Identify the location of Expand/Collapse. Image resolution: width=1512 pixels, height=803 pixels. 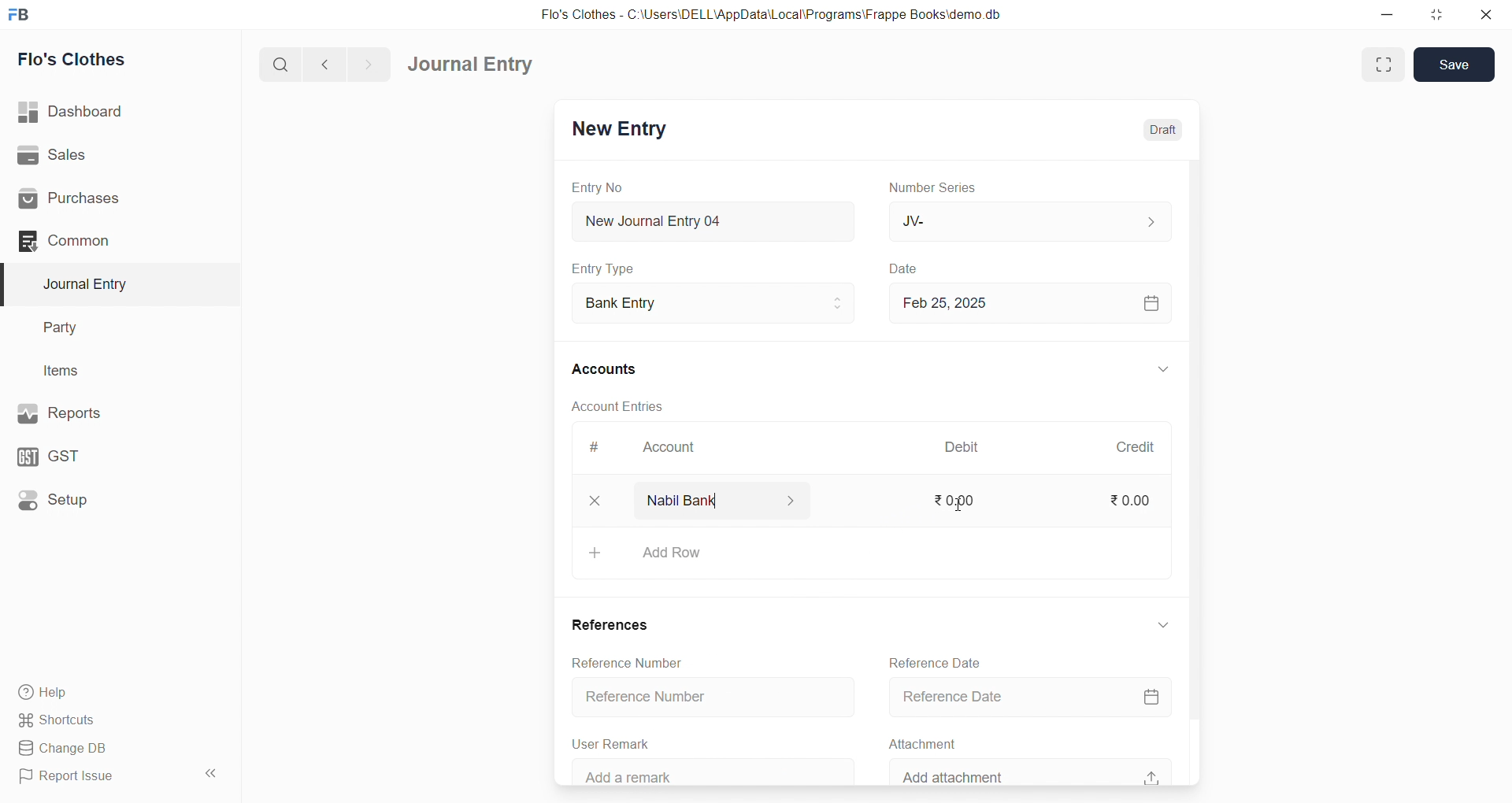
(1152, 371).